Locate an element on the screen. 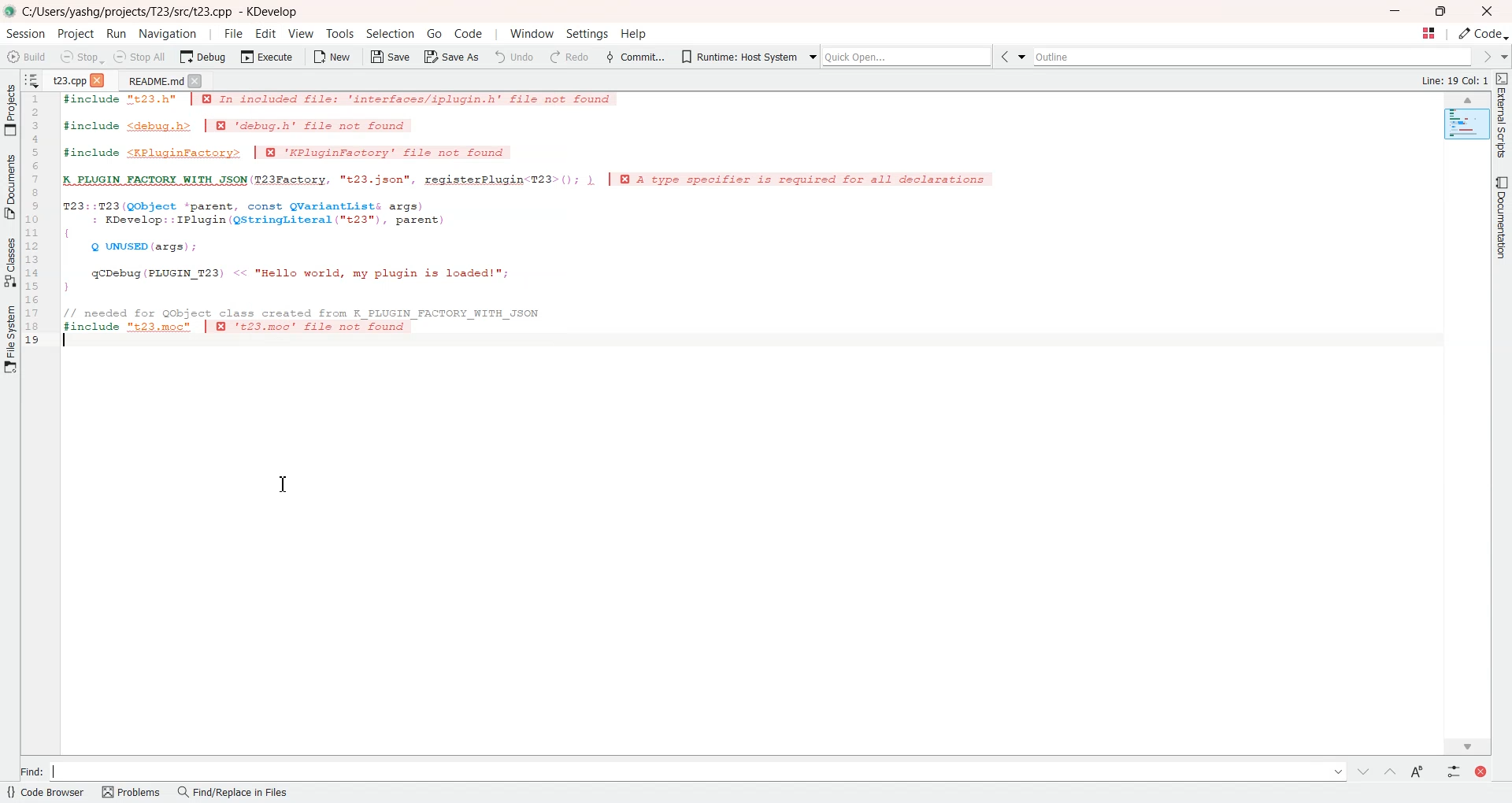  Scroll up is located at coordinates (1468, 100).